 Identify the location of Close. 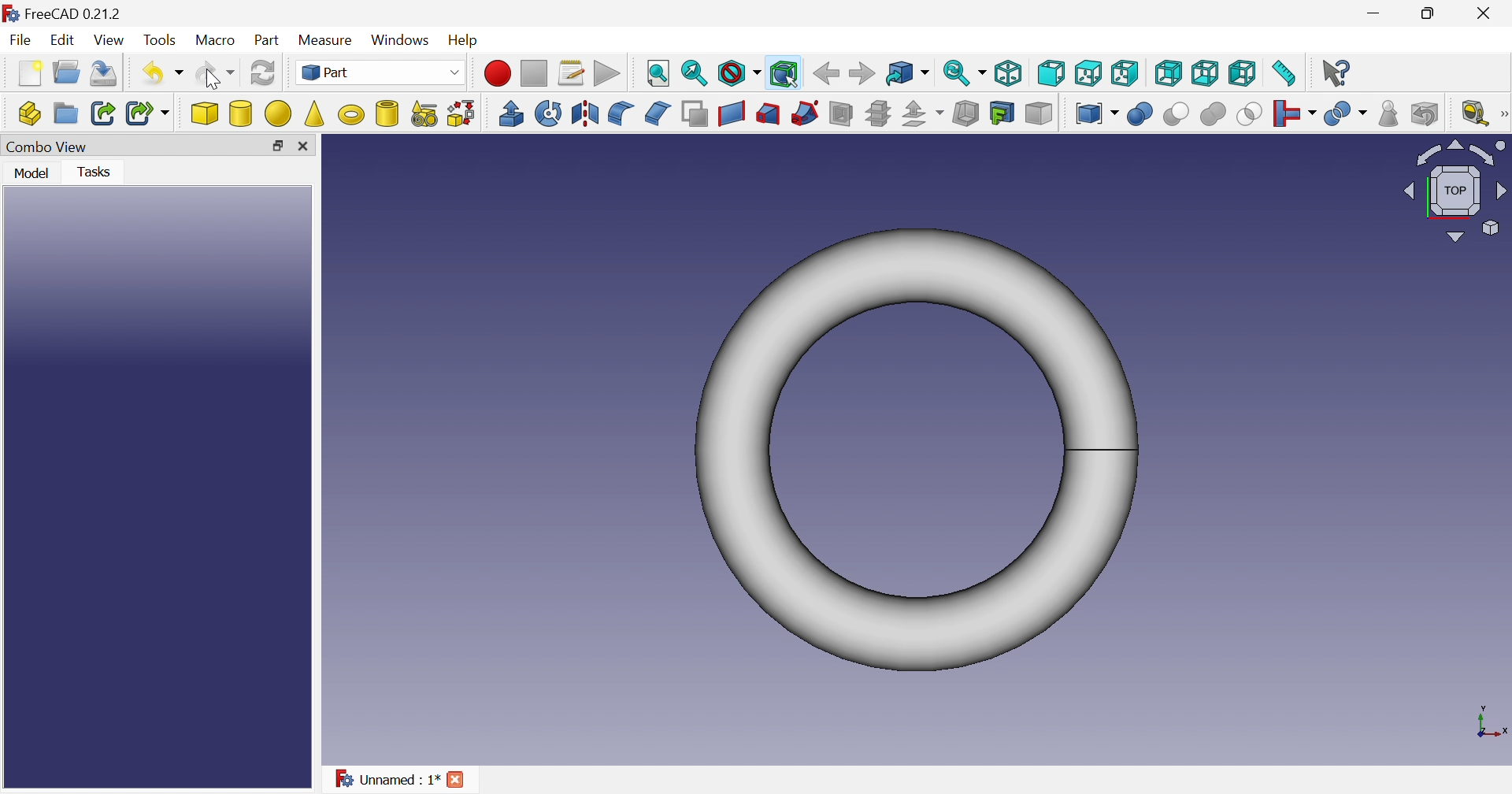
(1487, 14).